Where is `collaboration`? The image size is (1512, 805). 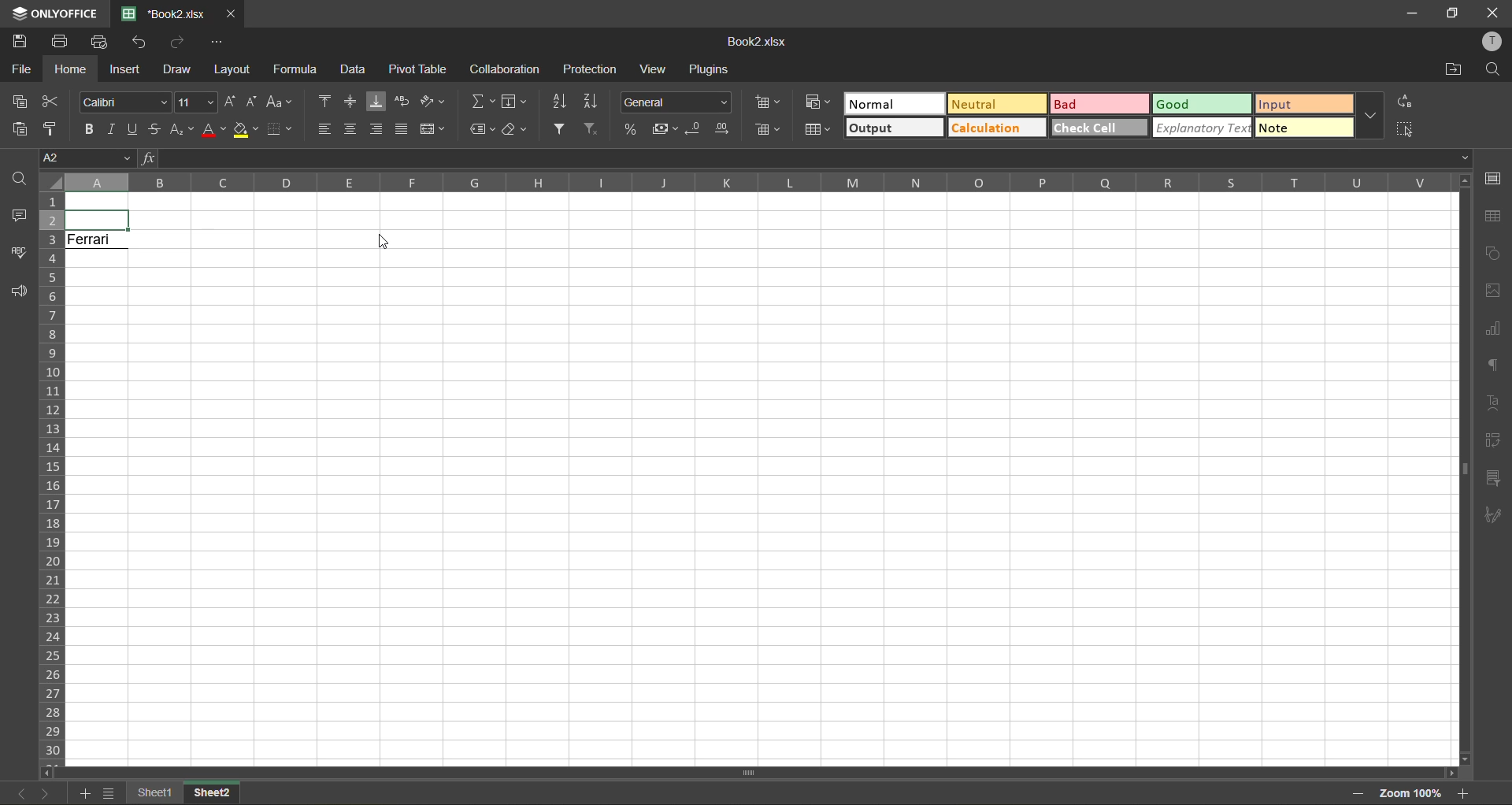 collaboration is located at coordinates (506, 69).